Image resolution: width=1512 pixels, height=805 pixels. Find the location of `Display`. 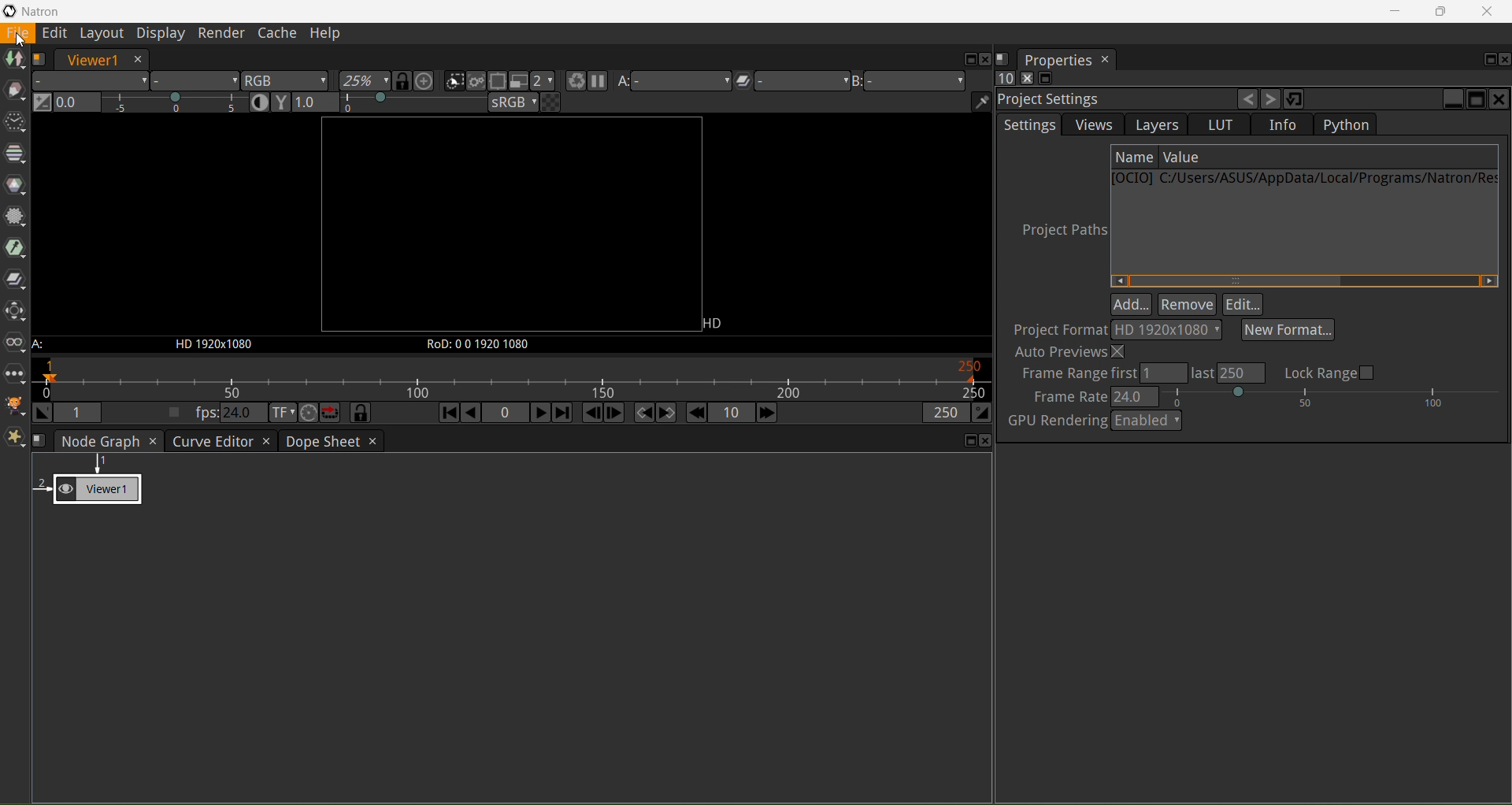

Display is located at coordinates (163, 33).